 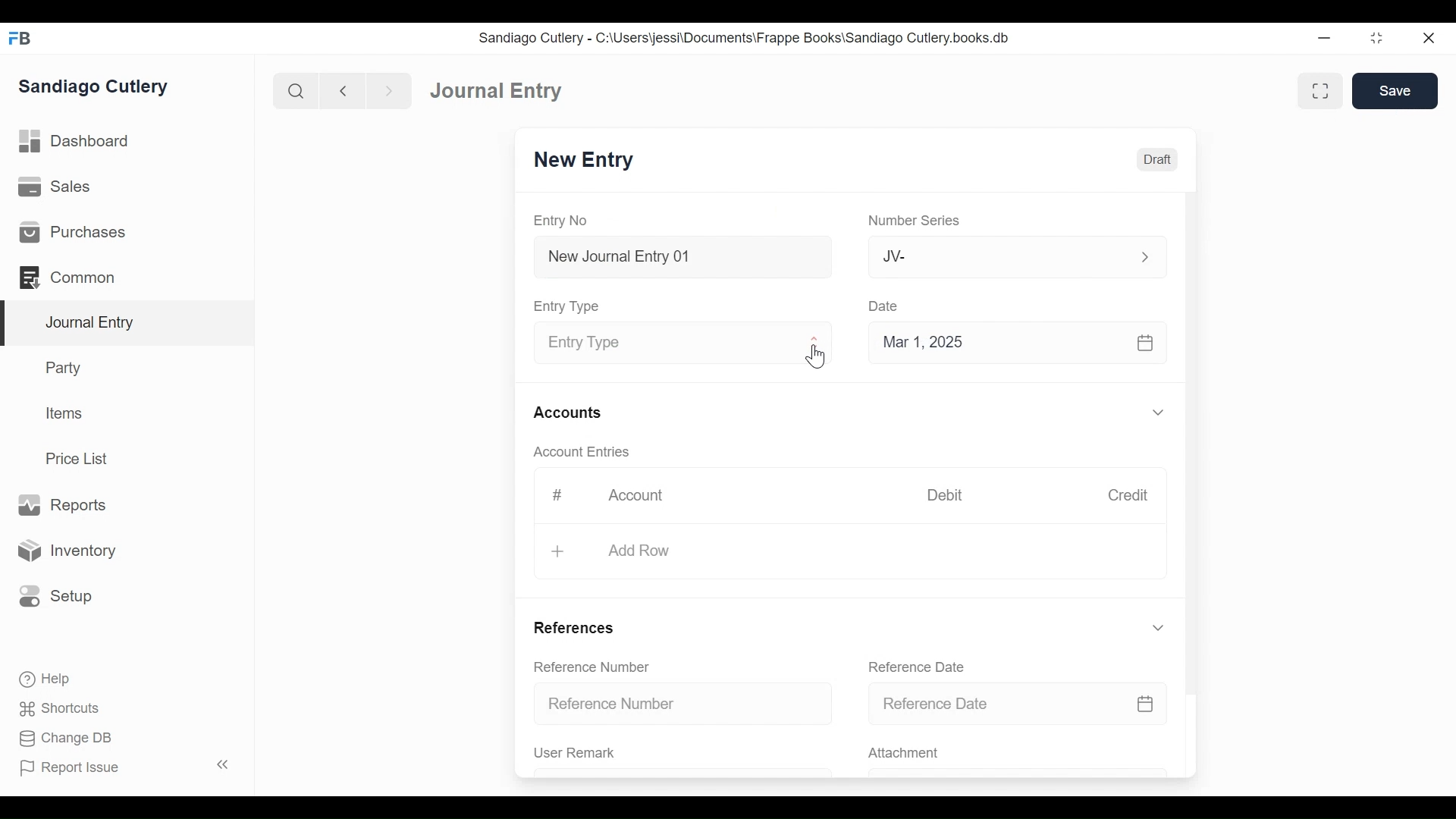 What do you see at coordinates (220, 764) in the screenshot?
I see `collapse sidebar` at bounding box center [220, 764].